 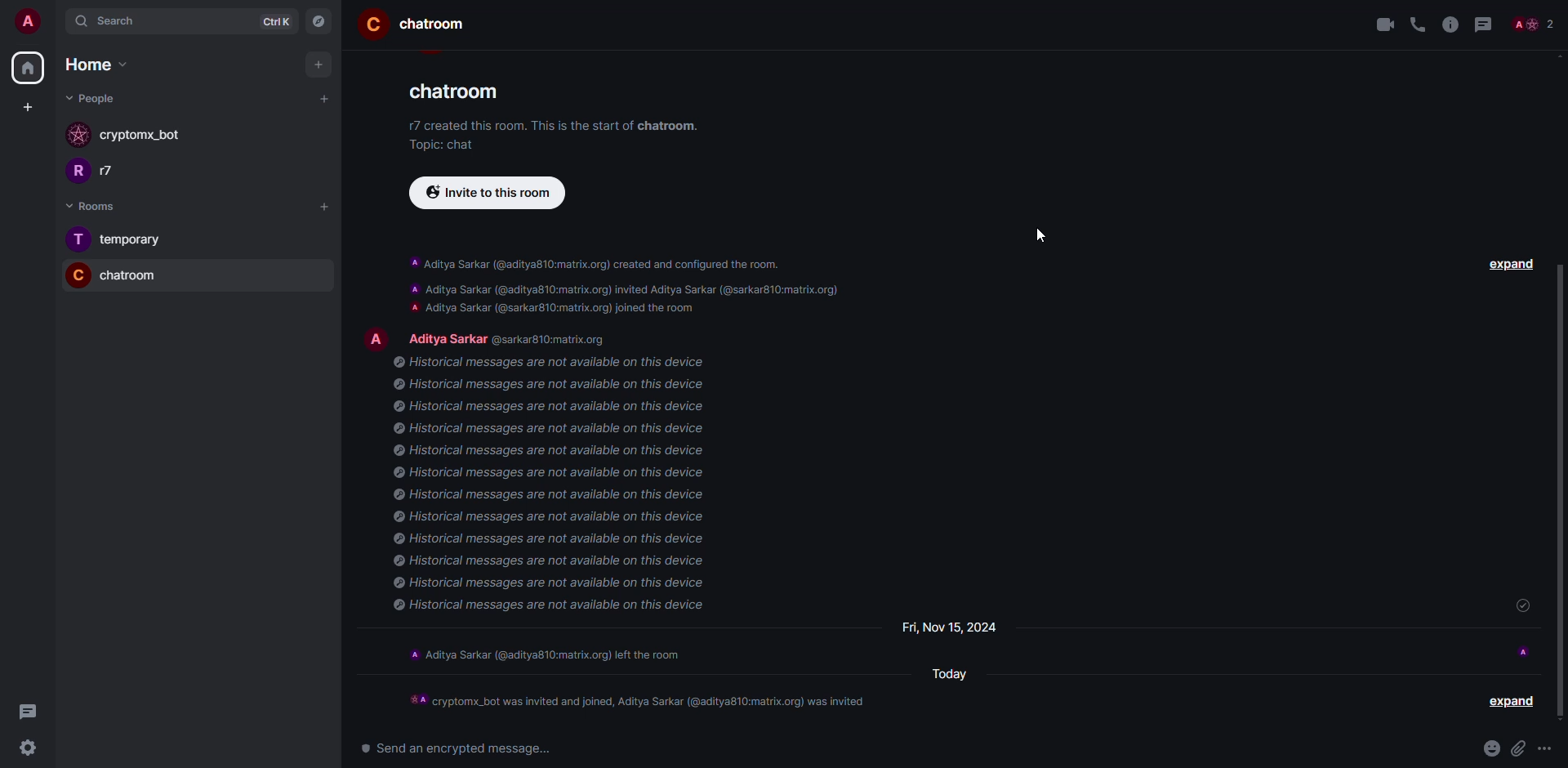 I want to click on video call, so click(x=1385, y=25).